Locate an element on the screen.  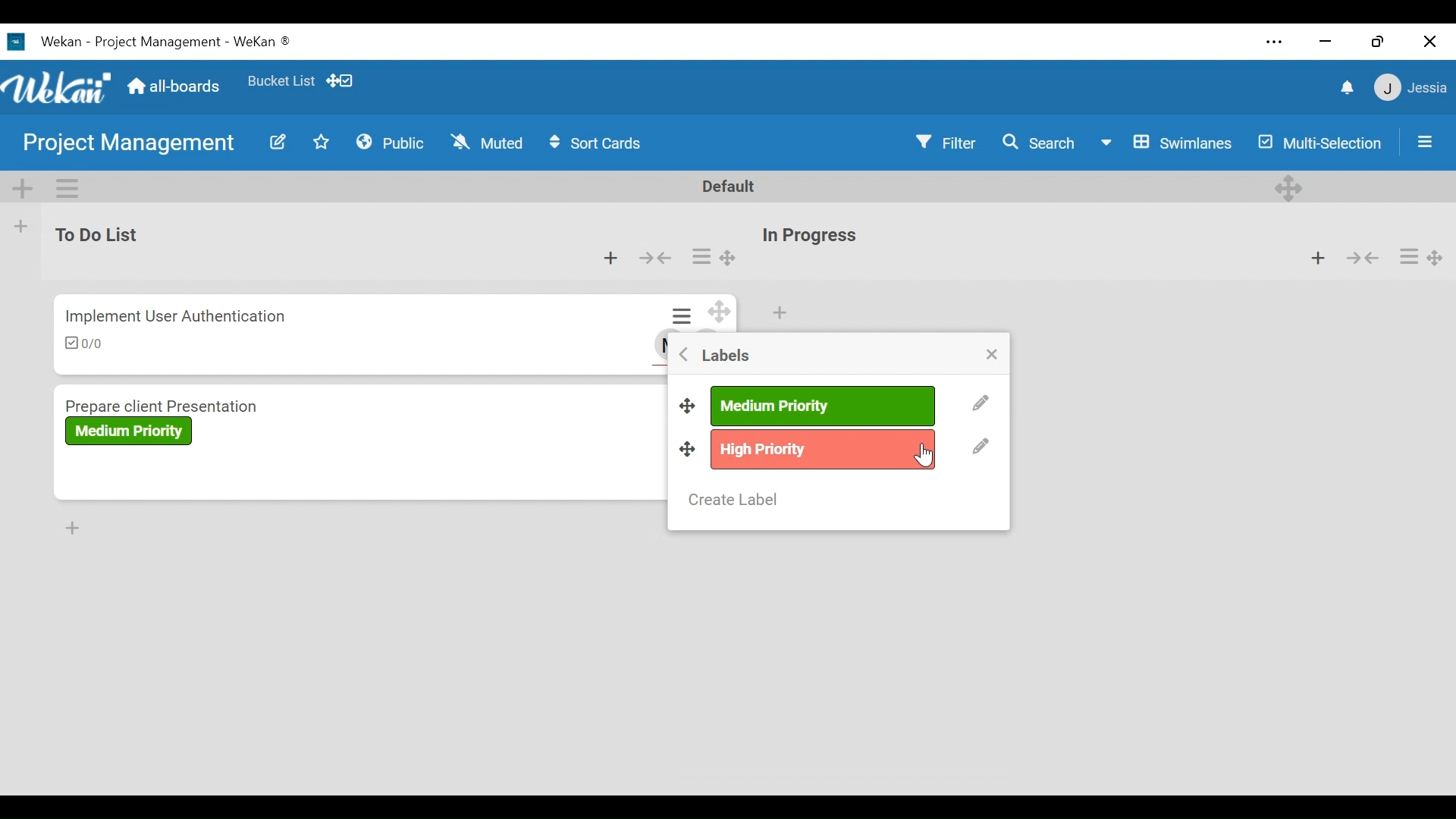
Desktop drag handles is located at coordinates (1439, 257).